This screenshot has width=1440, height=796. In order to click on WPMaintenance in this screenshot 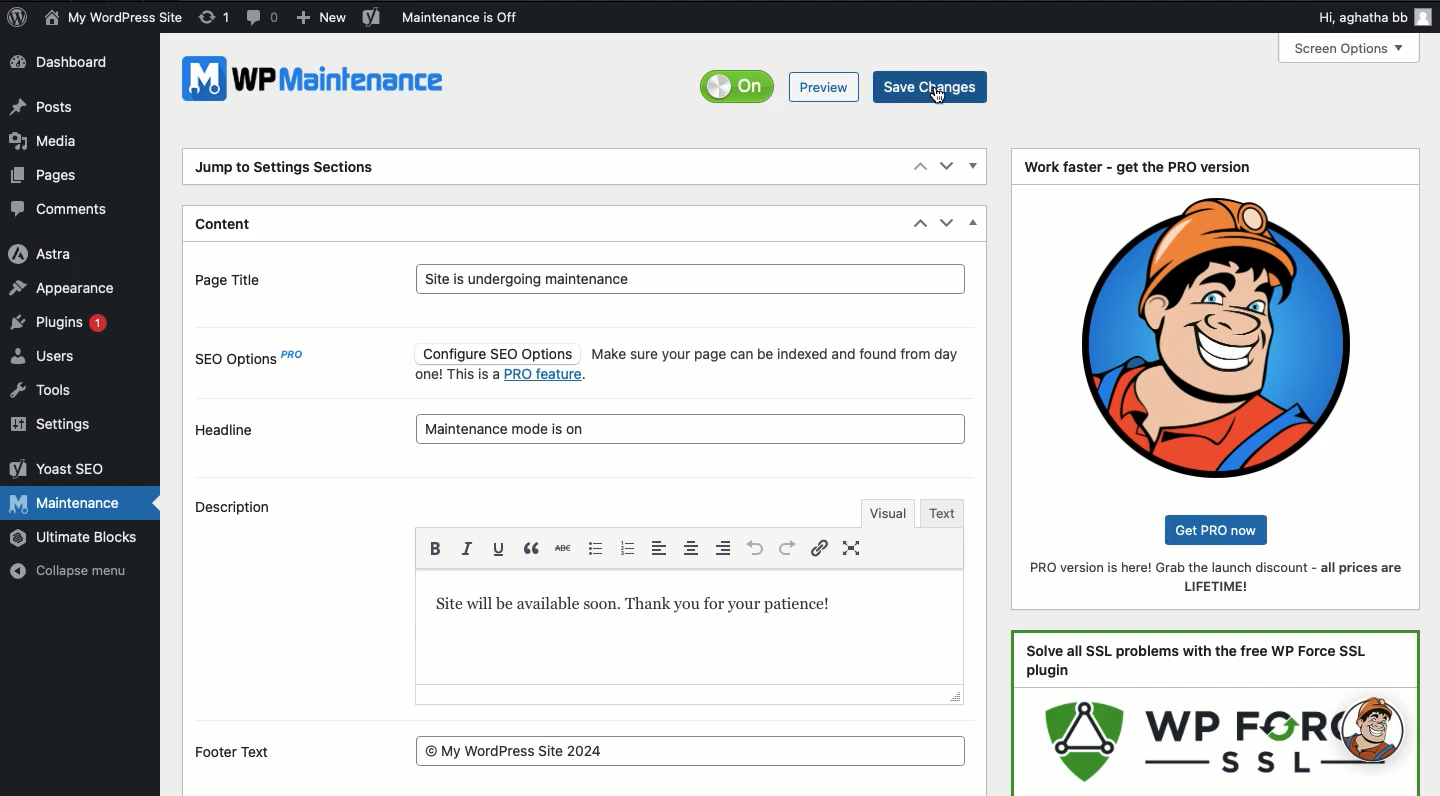, I will do `click(319, 85)`.